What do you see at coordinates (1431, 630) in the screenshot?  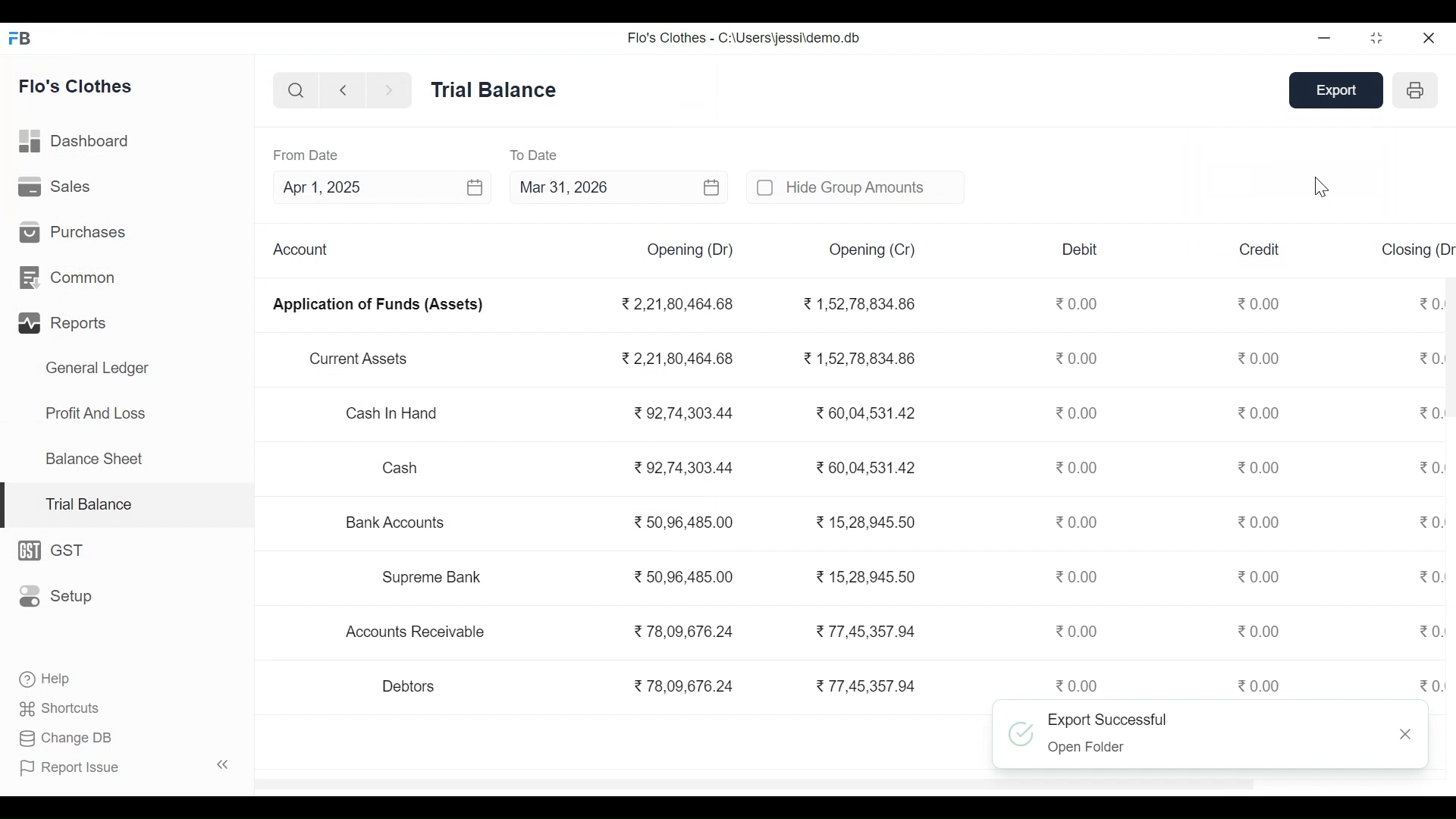 I see `0.00` at bounding box center [1431, 630].